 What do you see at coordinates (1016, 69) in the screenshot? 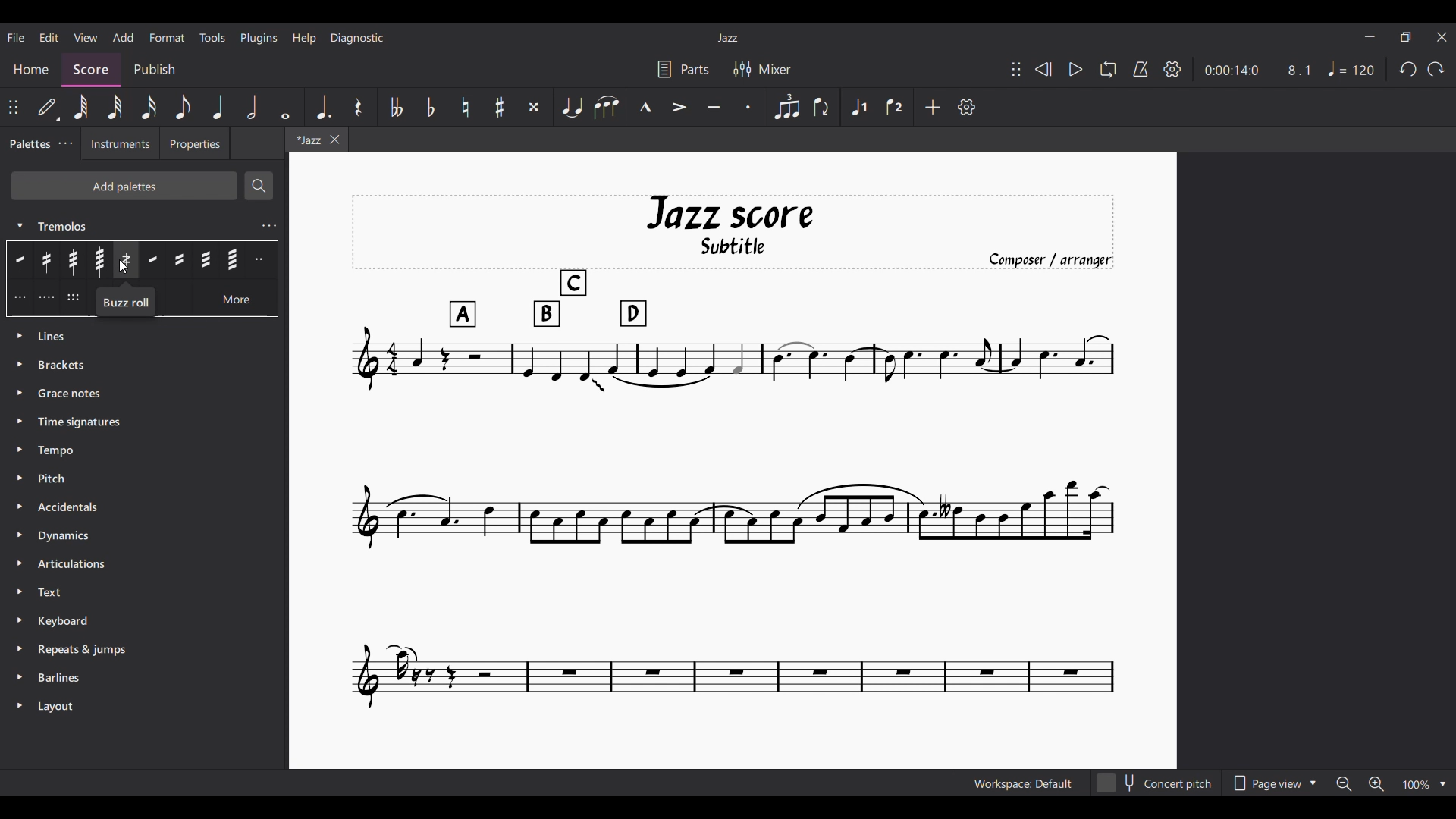
I see `Change position` at bounding box center [1016, 69].